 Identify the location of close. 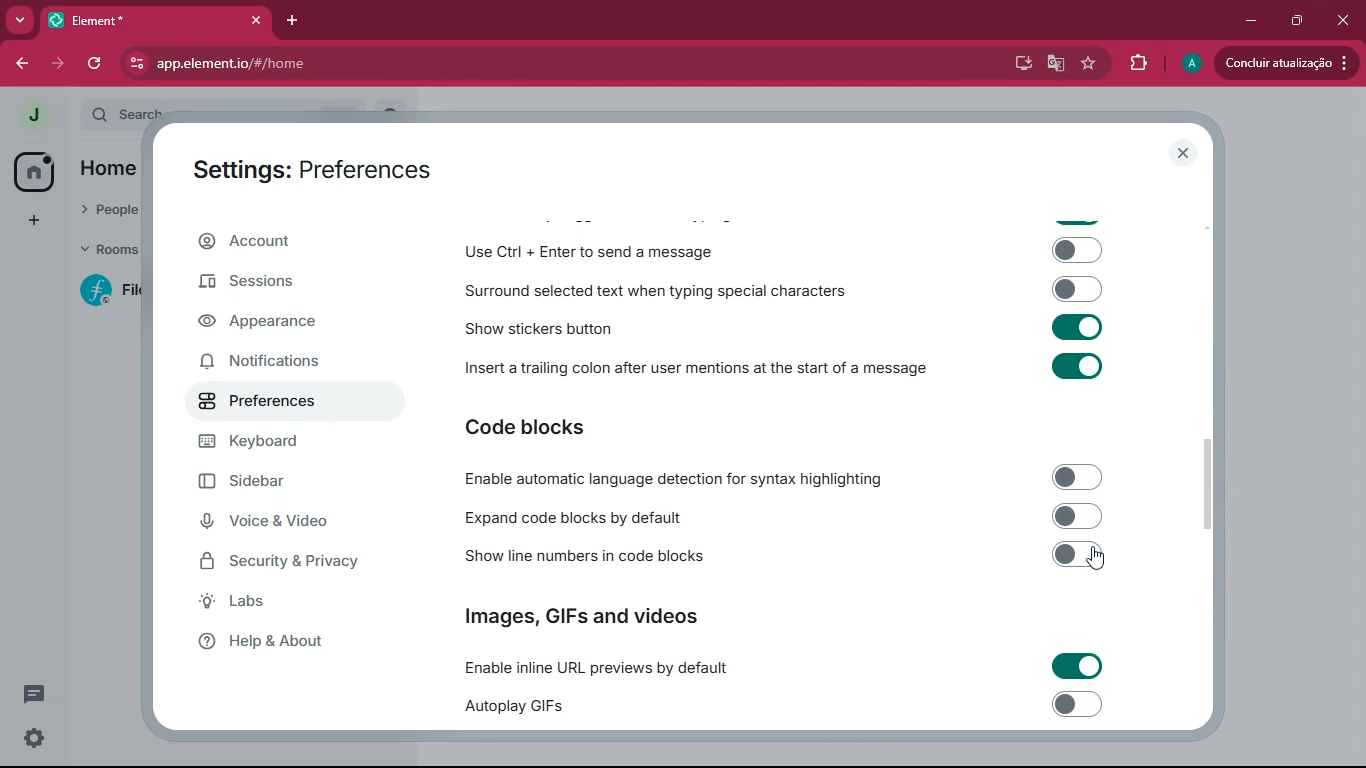
(1342, 21).